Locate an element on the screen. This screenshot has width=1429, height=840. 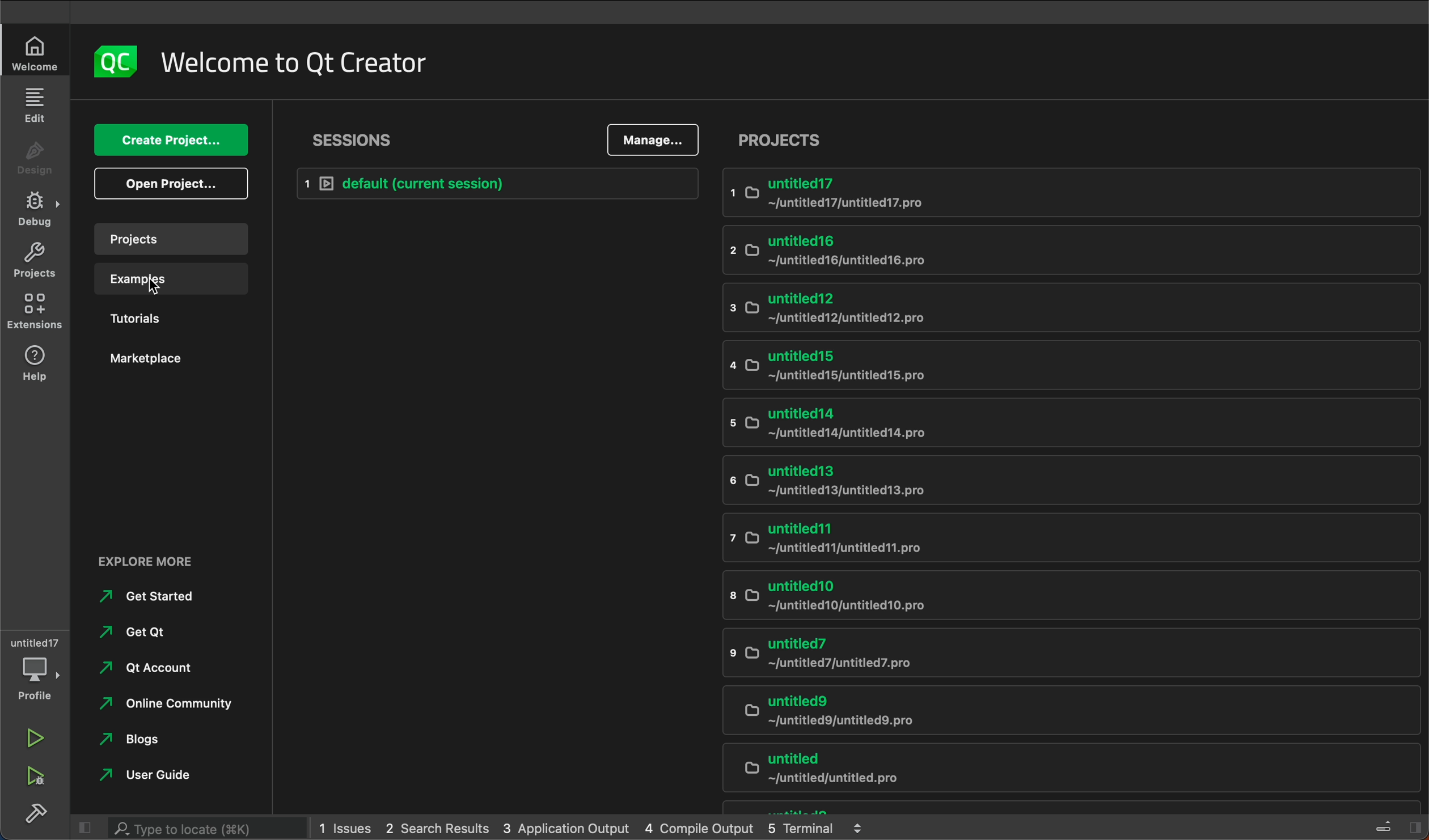
tutorials is located at coordinates (166, 322).